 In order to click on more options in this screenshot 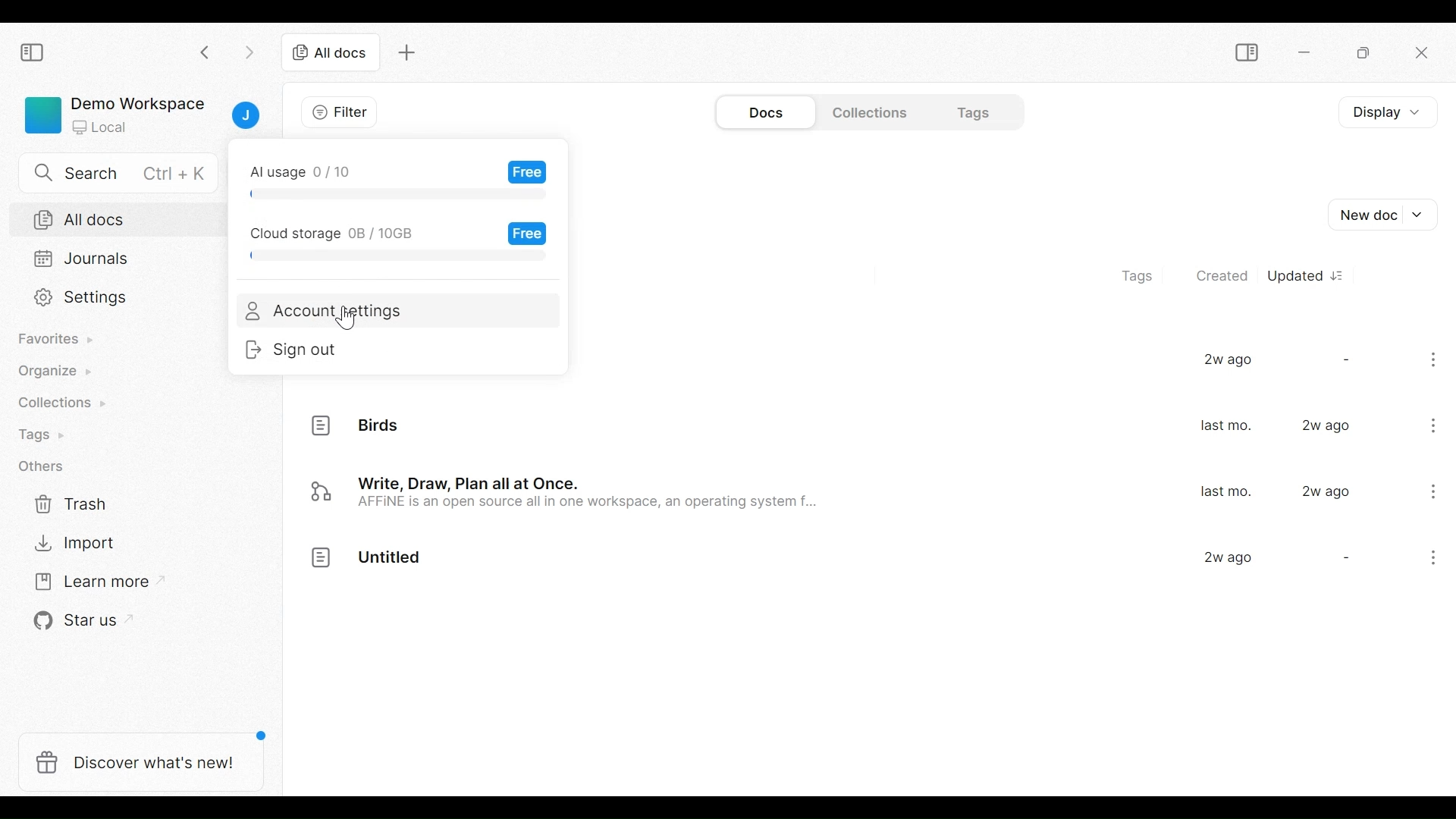, I will do `click(1436, 362)`.